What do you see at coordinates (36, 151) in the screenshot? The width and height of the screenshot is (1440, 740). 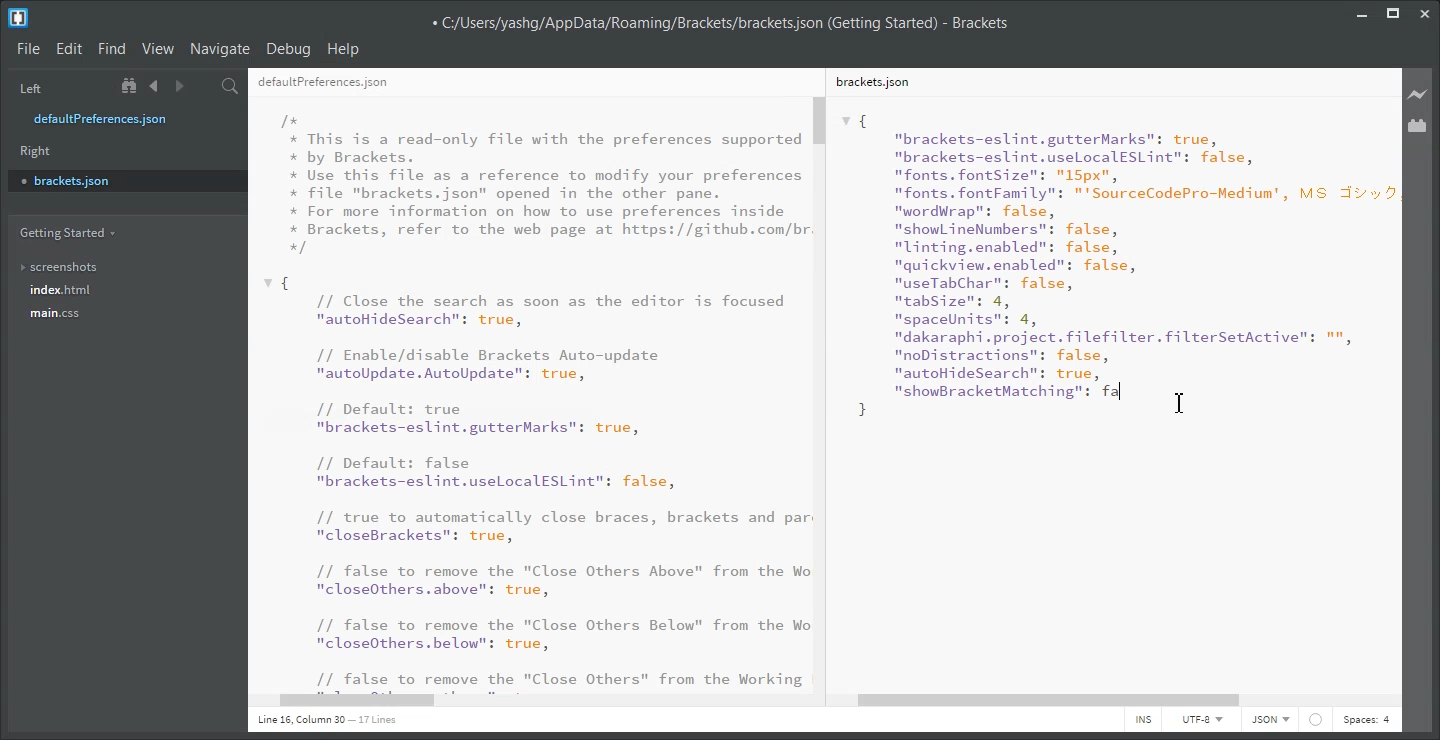 I see `Right` at bounding box center [36, 151].